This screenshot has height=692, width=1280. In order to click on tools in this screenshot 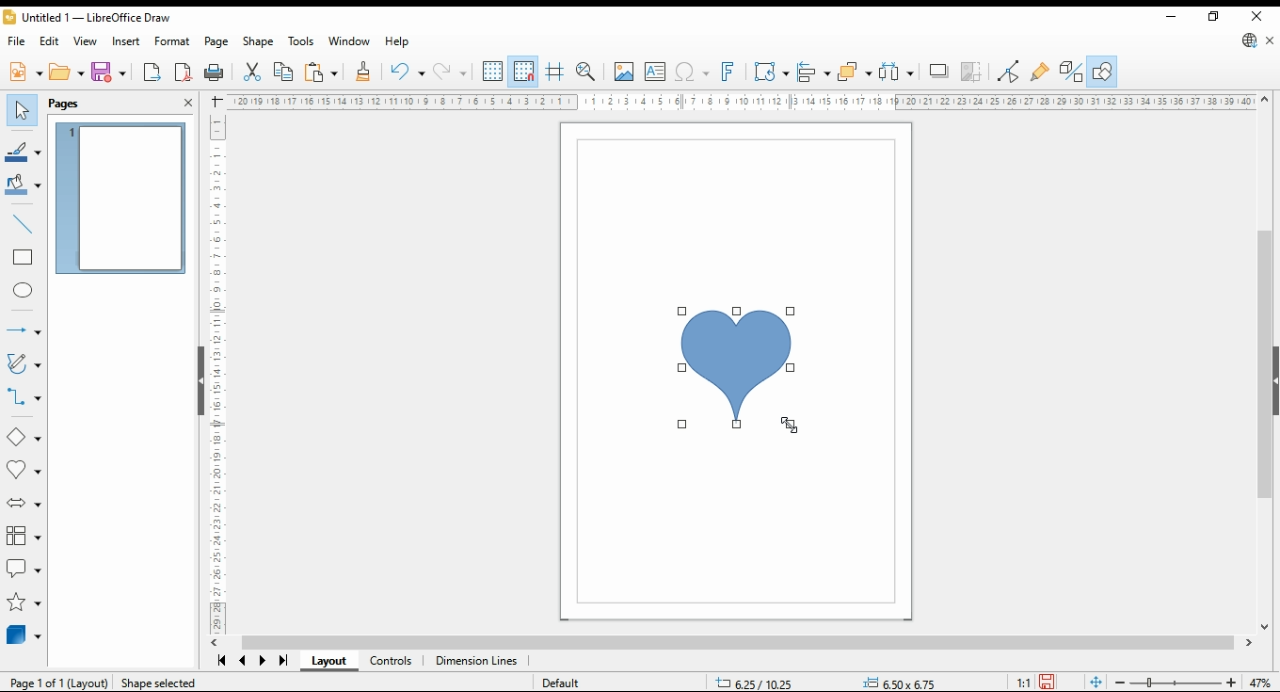, I will do `click(302, 41)`.